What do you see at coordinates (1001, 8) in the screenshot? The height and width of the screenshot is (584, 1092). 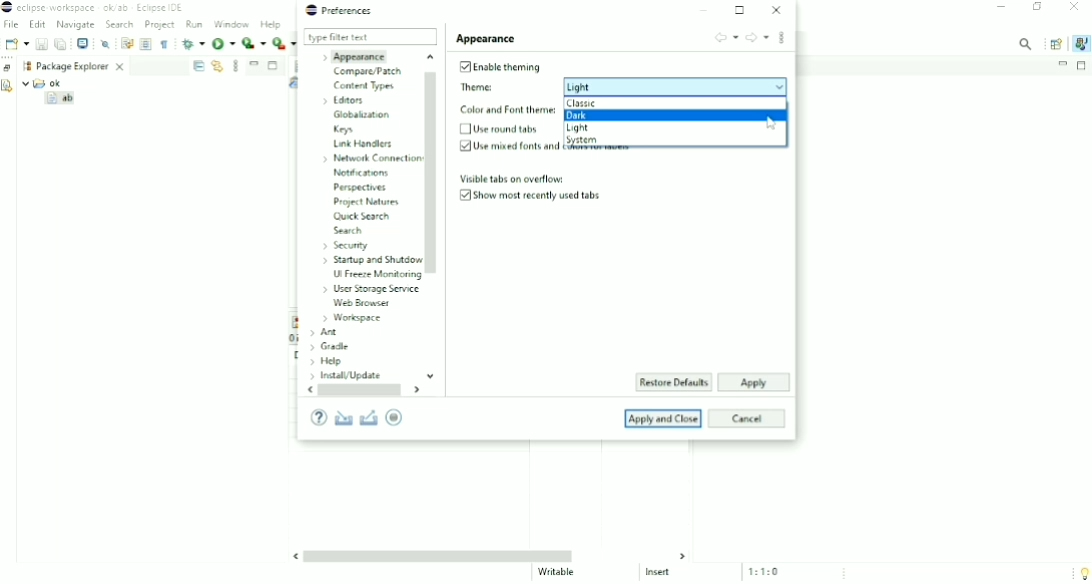 I see `Minimize` at bounding box center [1001, 8].